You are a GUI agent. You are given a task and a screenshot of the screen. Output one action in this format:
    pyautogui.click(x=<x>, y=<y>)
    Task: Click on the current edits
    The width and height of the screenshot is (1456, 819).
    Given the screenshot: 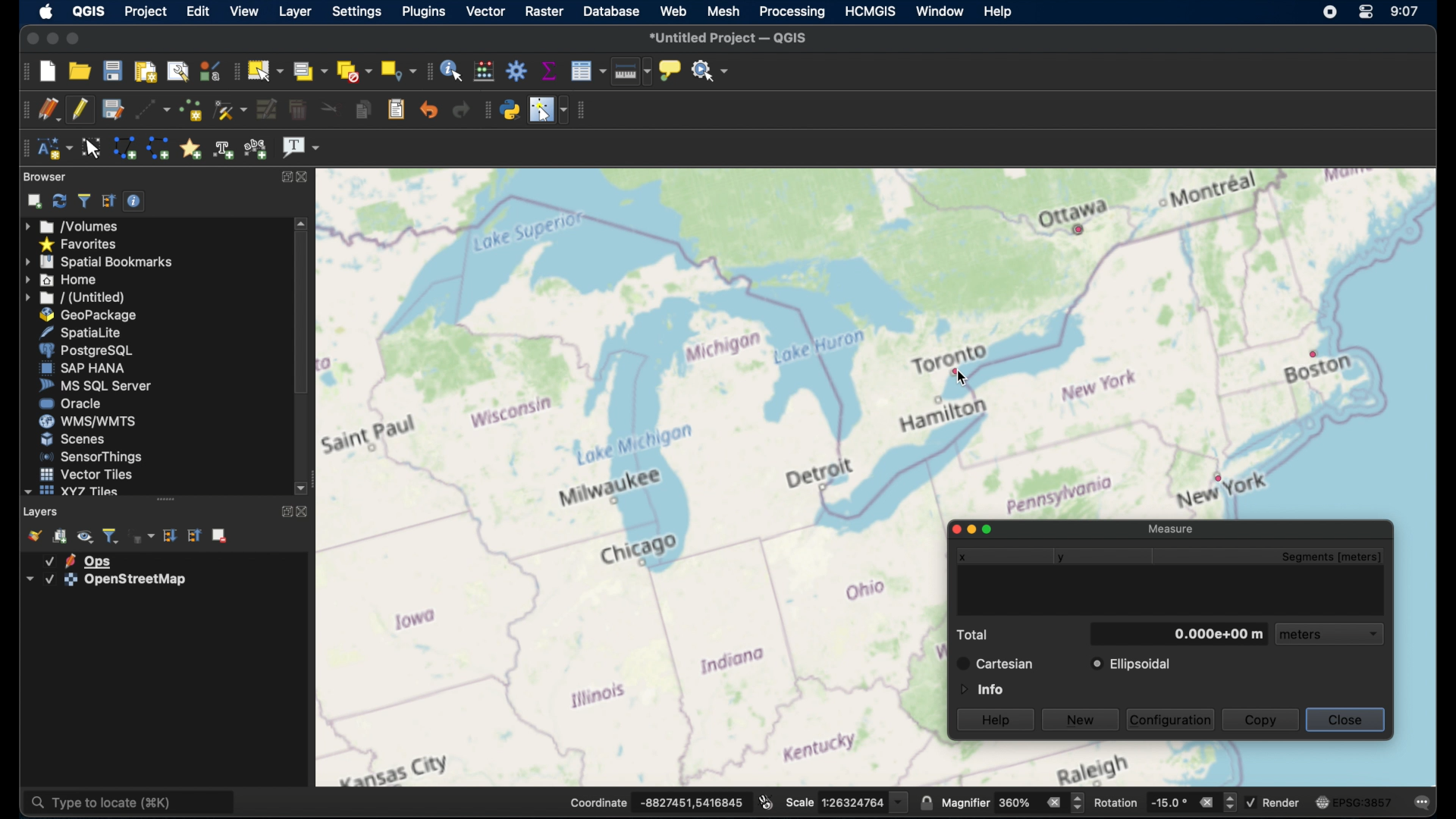 What is the action you would take?
    pyautogui.click(x=49, y=109)
    